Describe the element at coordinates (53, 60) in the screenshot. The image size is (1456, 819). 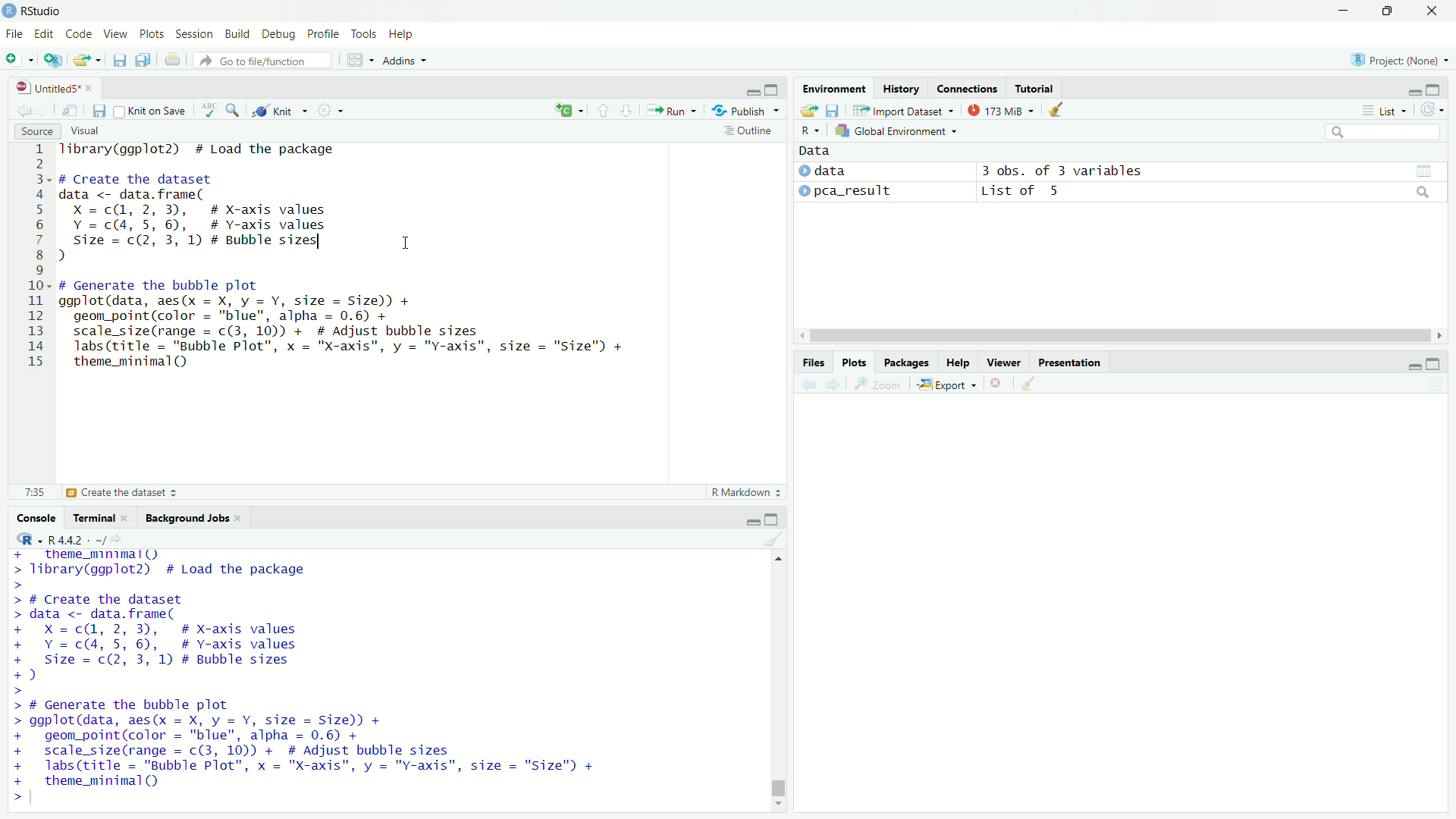
I see `new project` at that location.